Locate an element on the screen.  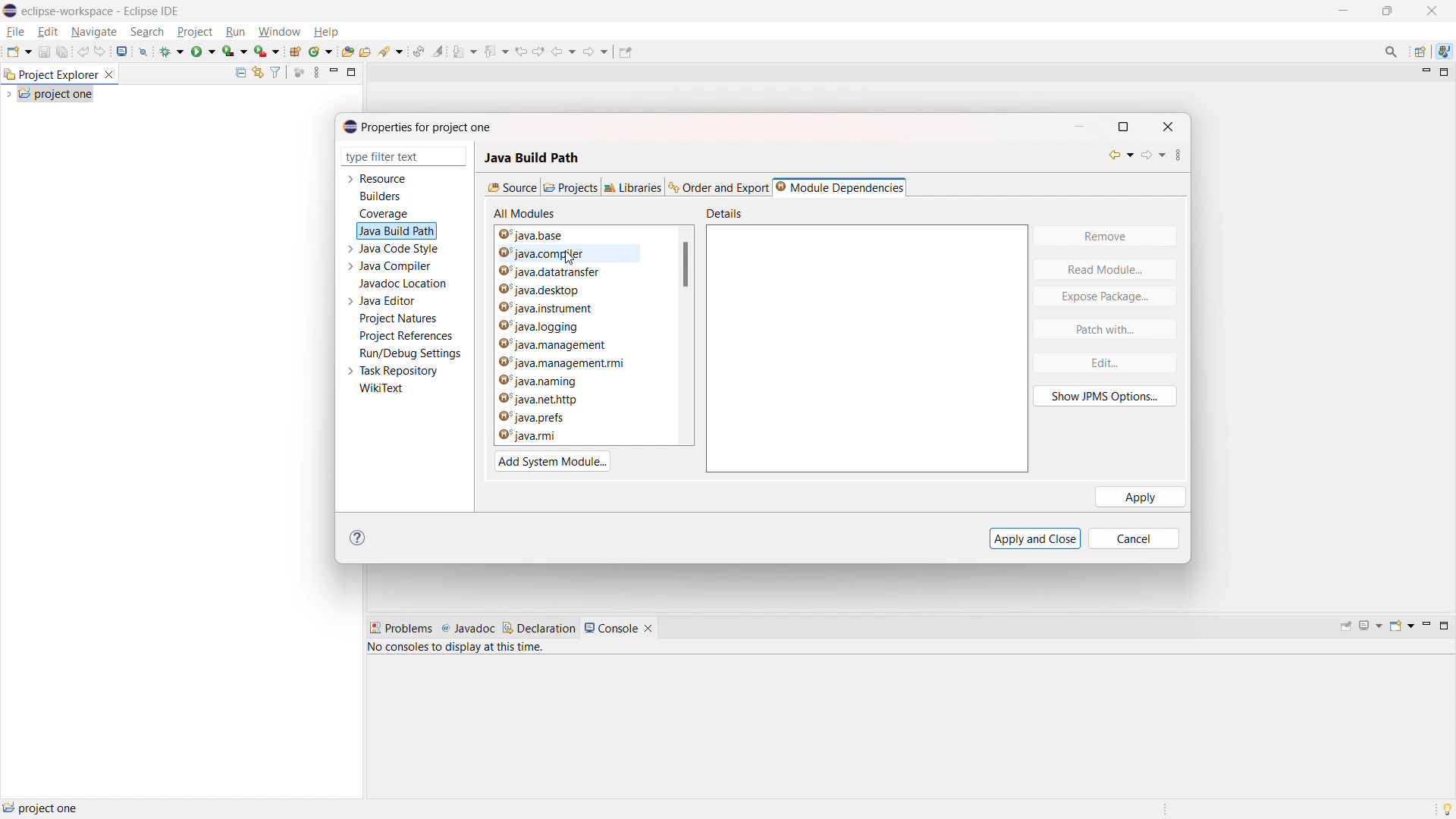
maximize is located at coordinates (1444, 626).